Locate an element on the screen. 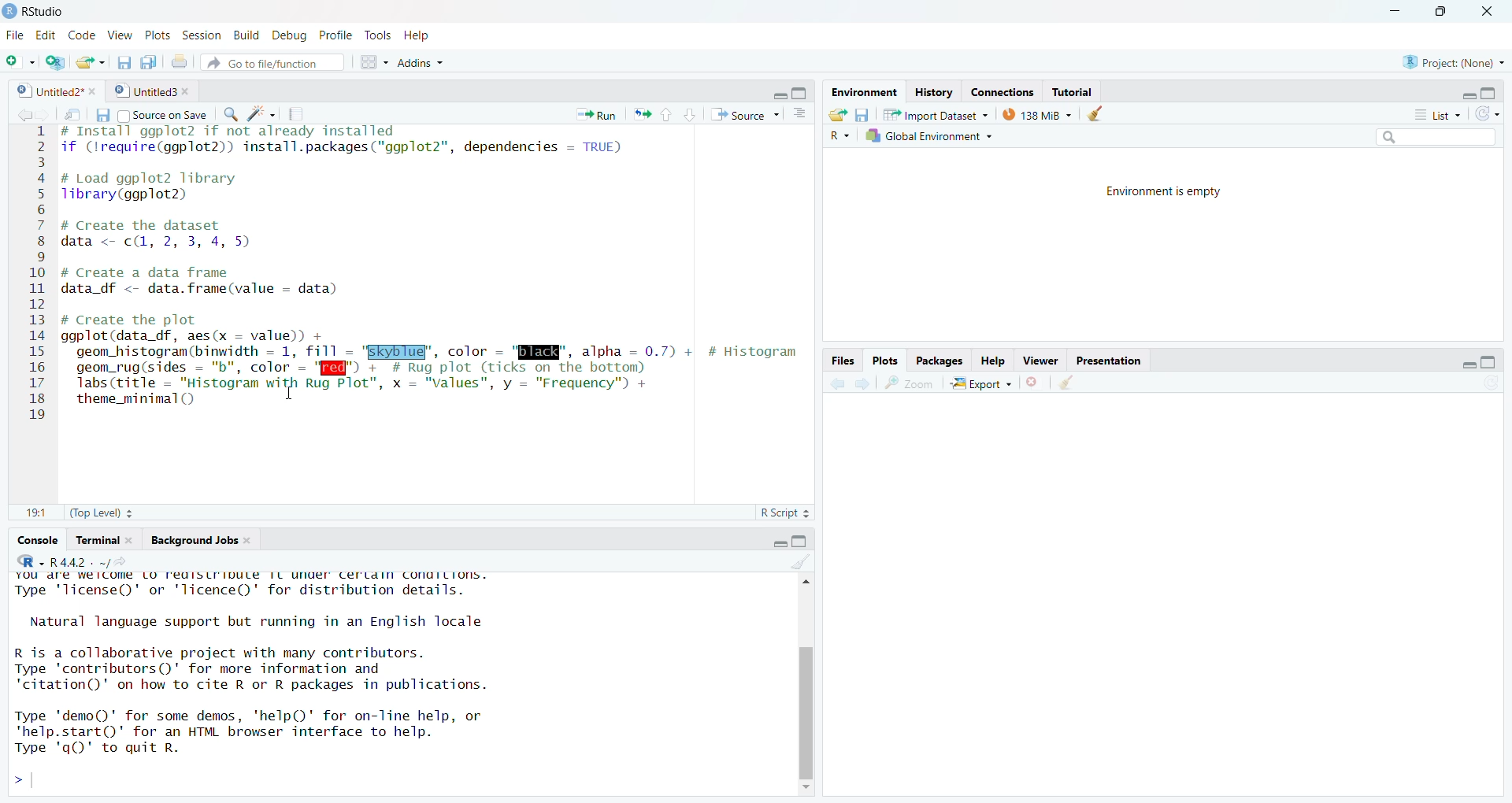 The height and width of the screenshot is (803, 1512). Show document outline is located at coordinates (800, 116).